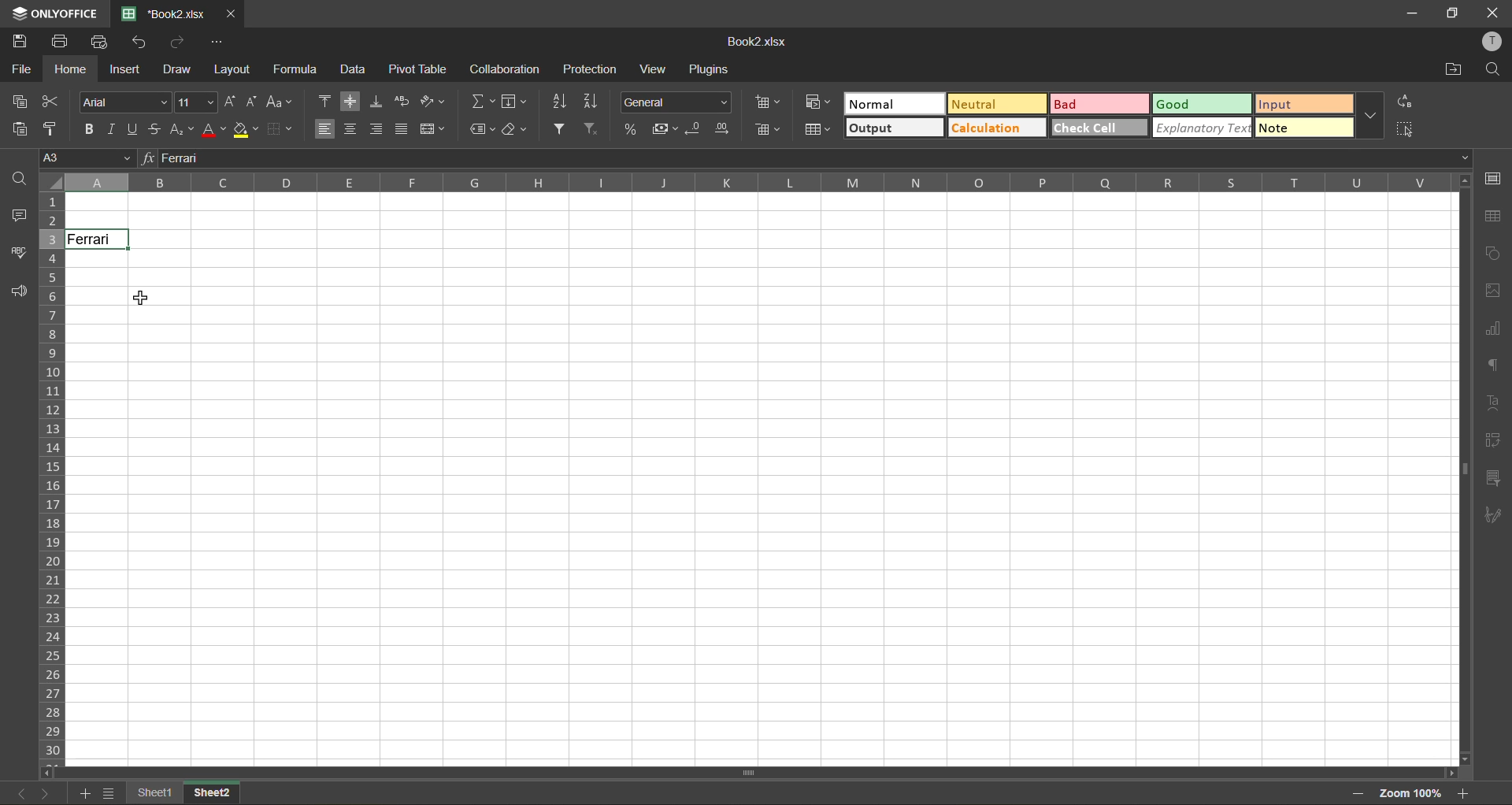 This screenshot has width=1512, height=805. I want to click on find, so click(1492, 70).